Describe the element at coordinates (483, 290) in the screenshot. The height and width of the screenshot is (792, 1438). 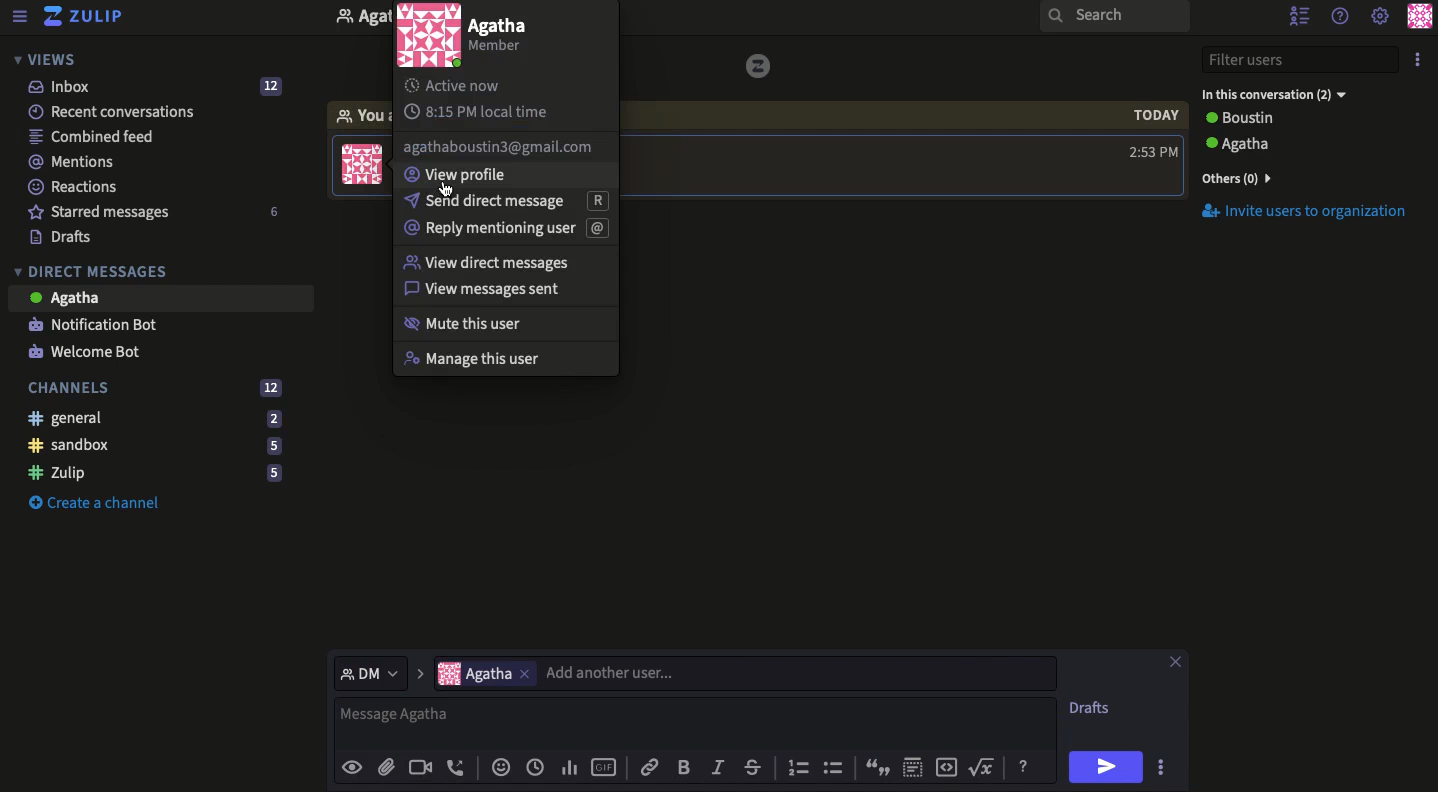
I see `View message sent` at that location.